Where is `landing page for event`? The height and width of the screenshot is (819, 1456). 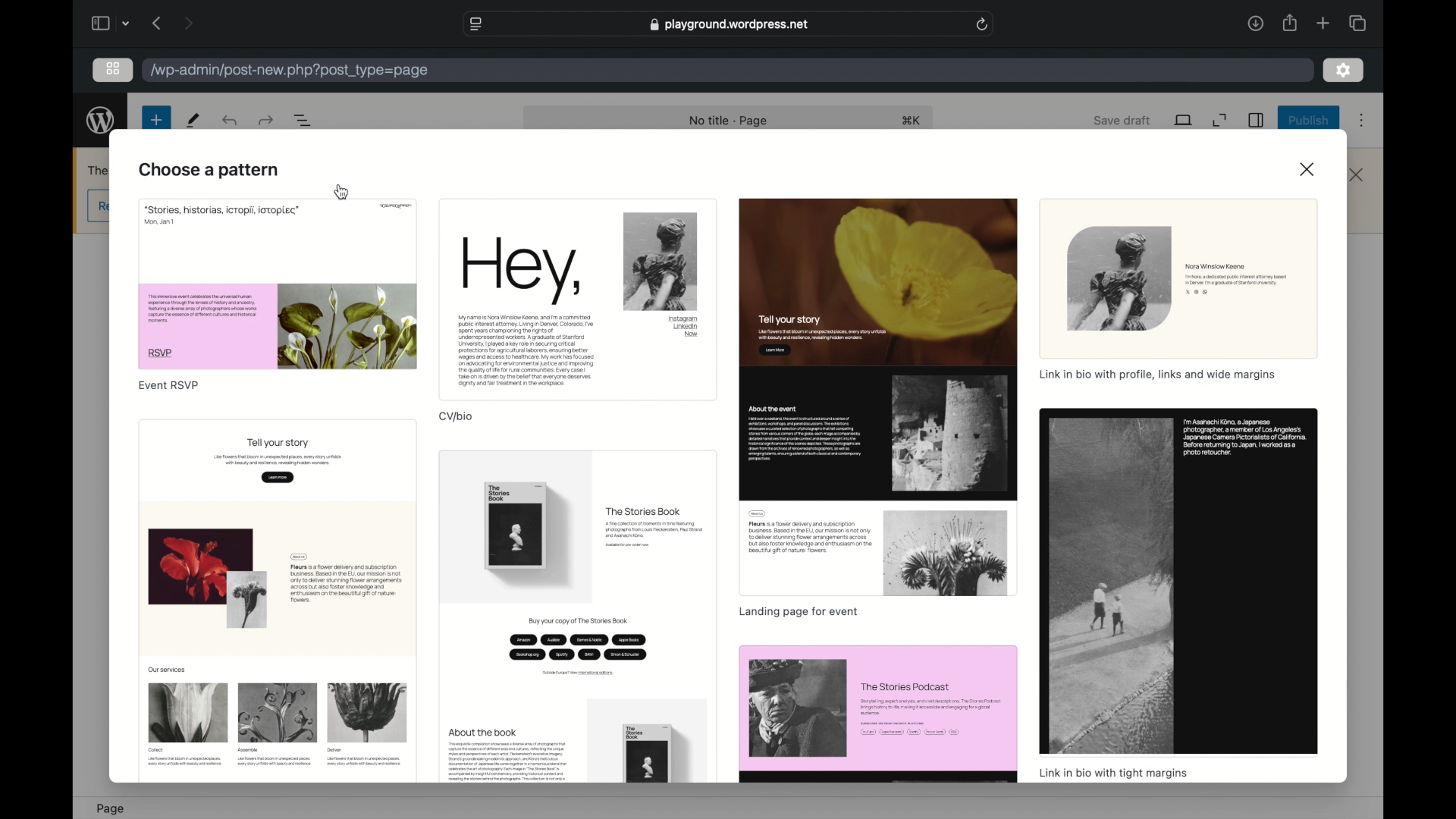 landing page for event is located at coordinates (798, 613).